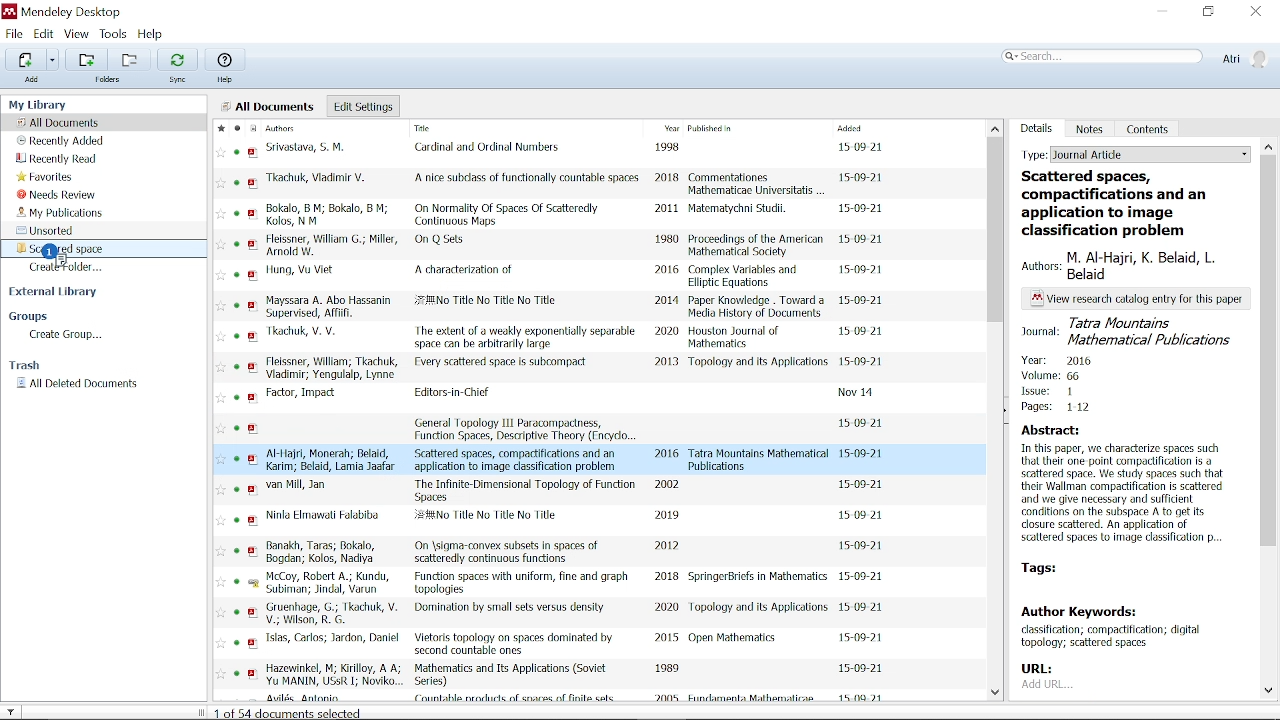  I want to click on Sync, so click(177, 59).